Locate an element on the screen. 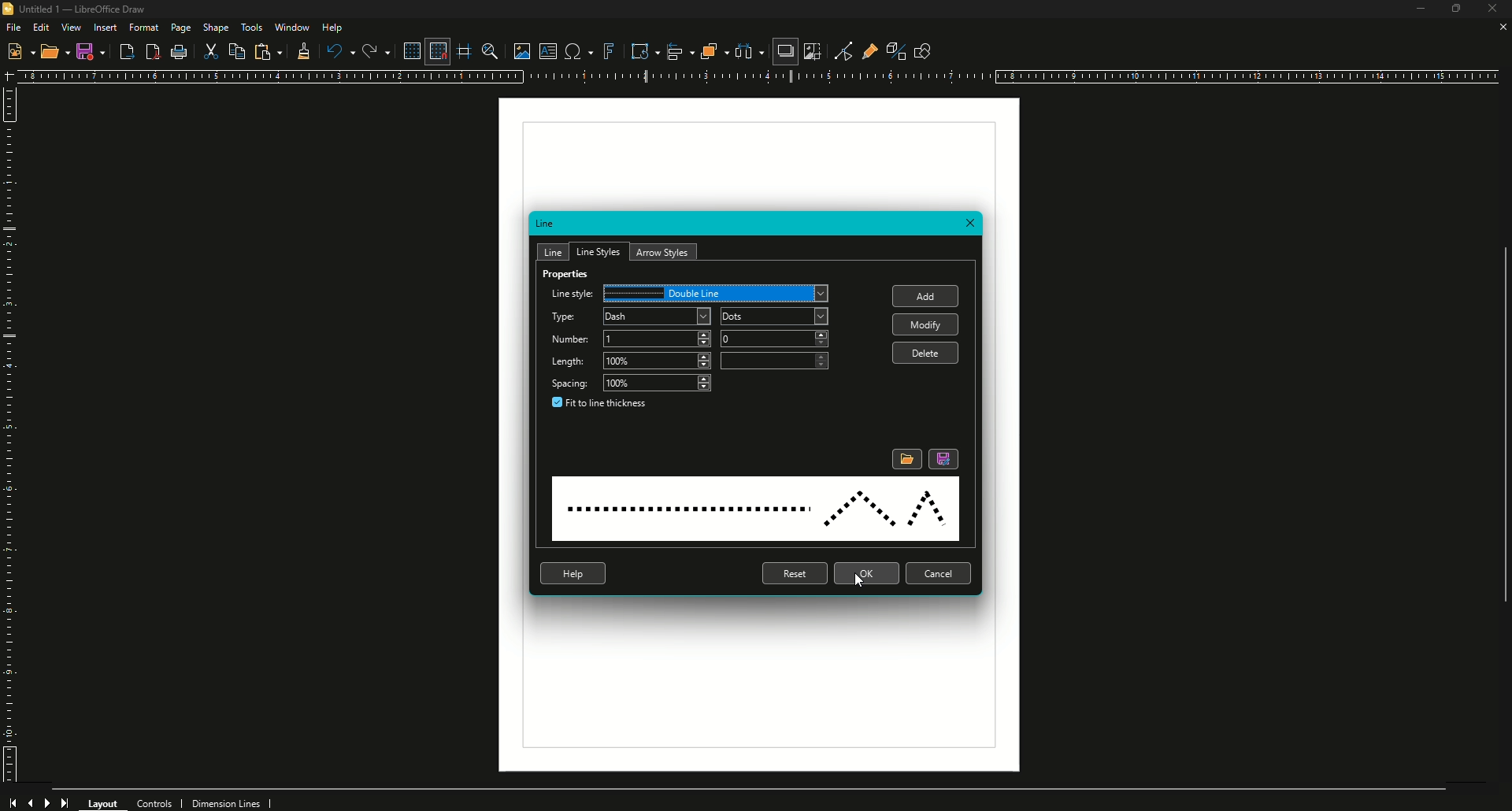 This screenshot has width=1512, height=811. Help is located at coordinates (334, 28).